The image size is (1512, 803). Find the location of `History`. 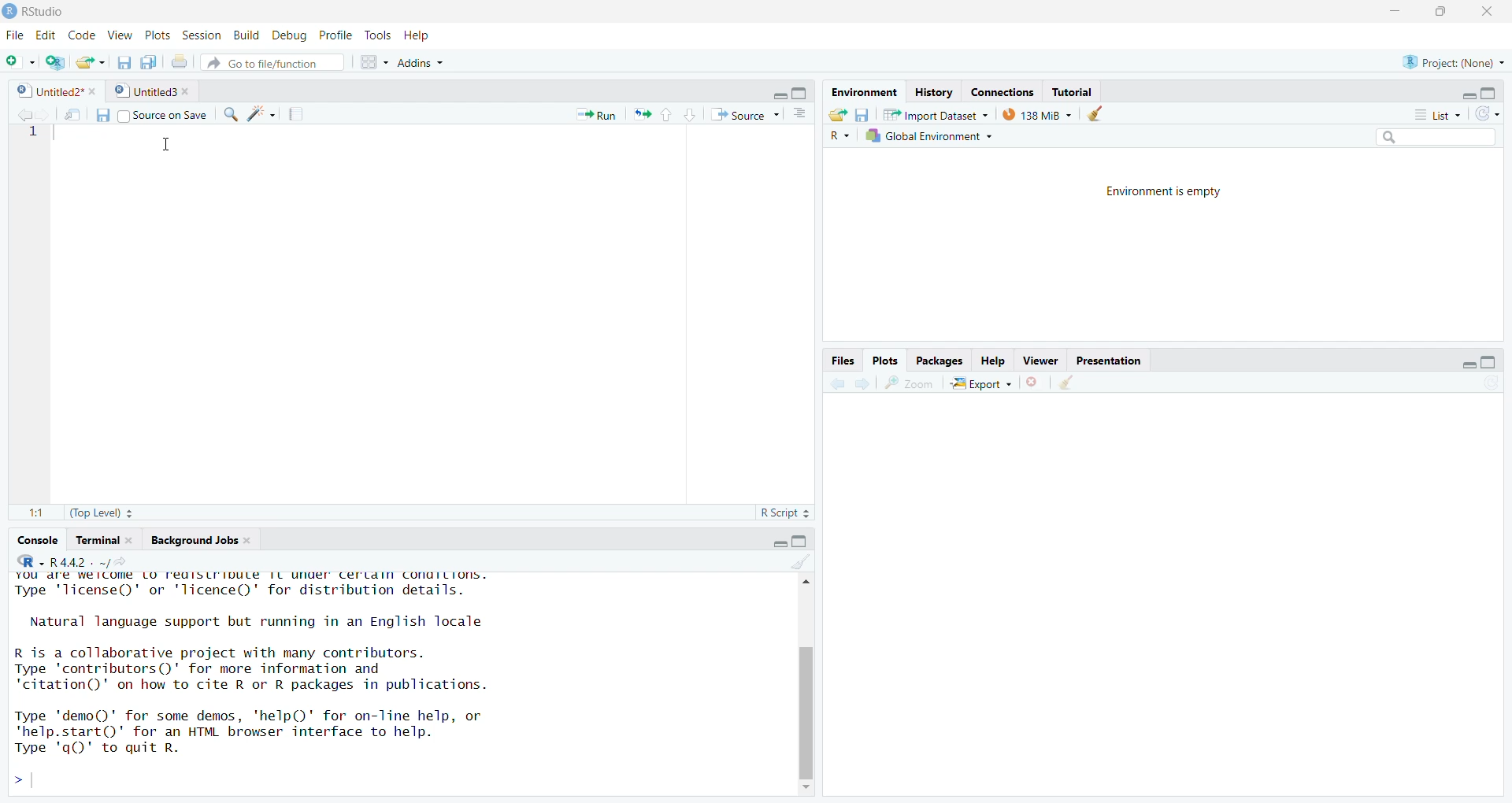

History is located at coordinates (932, 90).